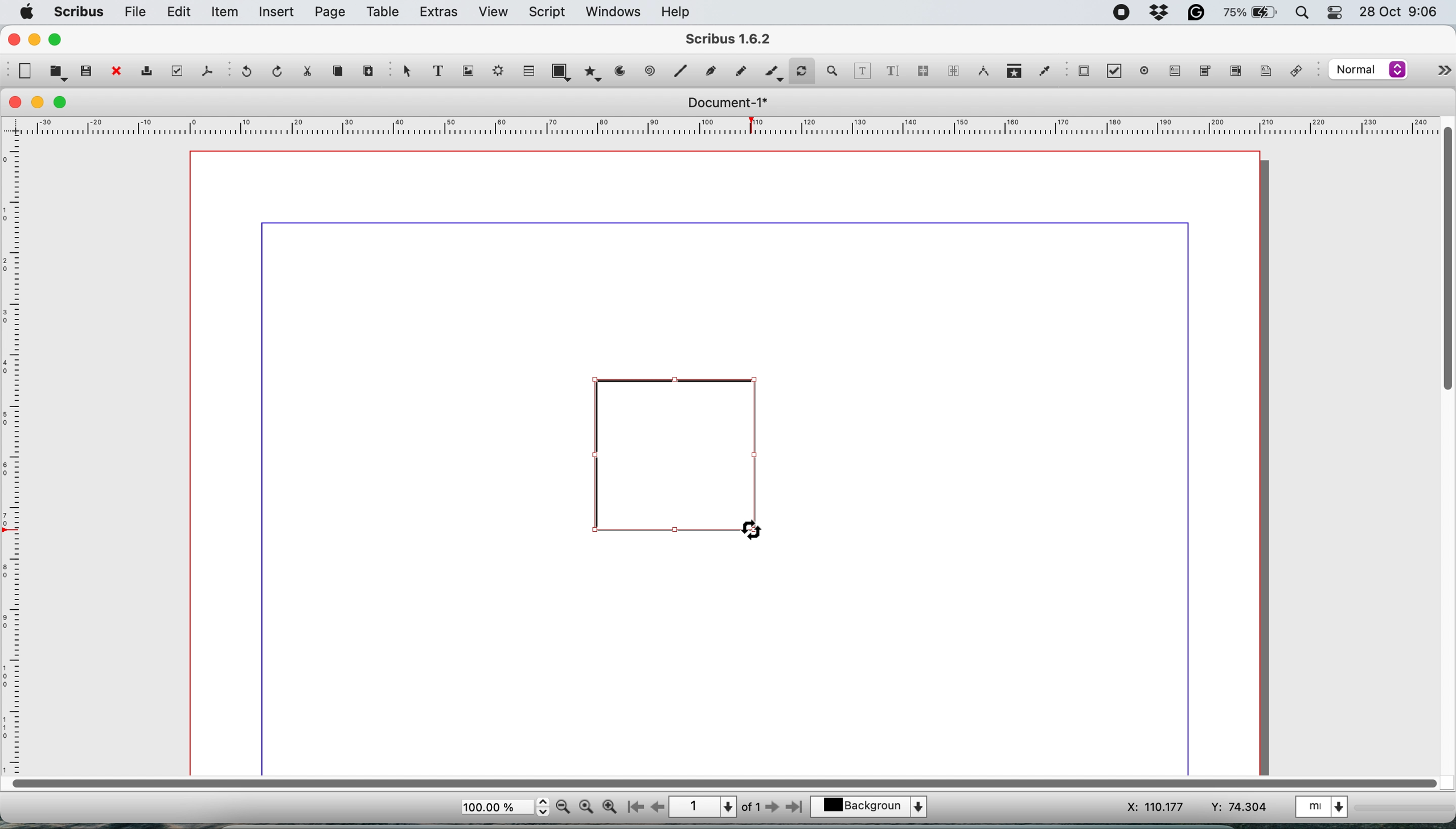 The width and height of the screenshot is (1456, 829). I want to click on control center, so click(1334, 14).